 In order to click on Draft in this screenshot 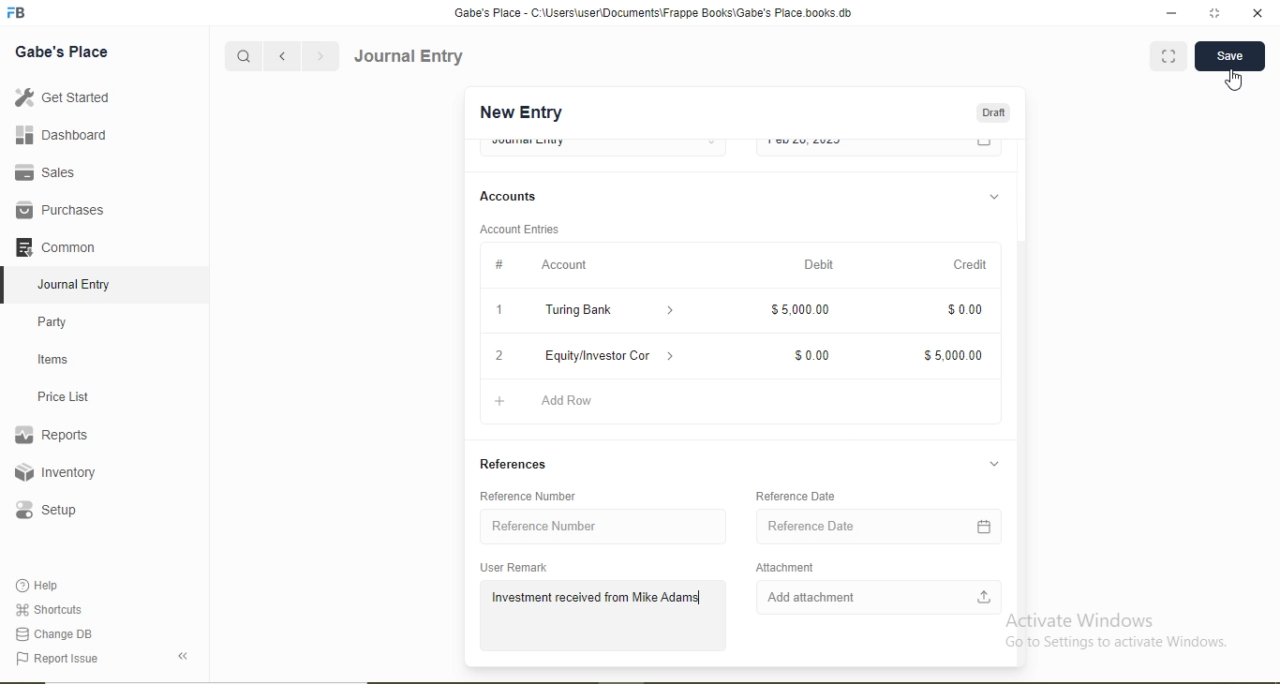, I will do `click(993, 114)`.